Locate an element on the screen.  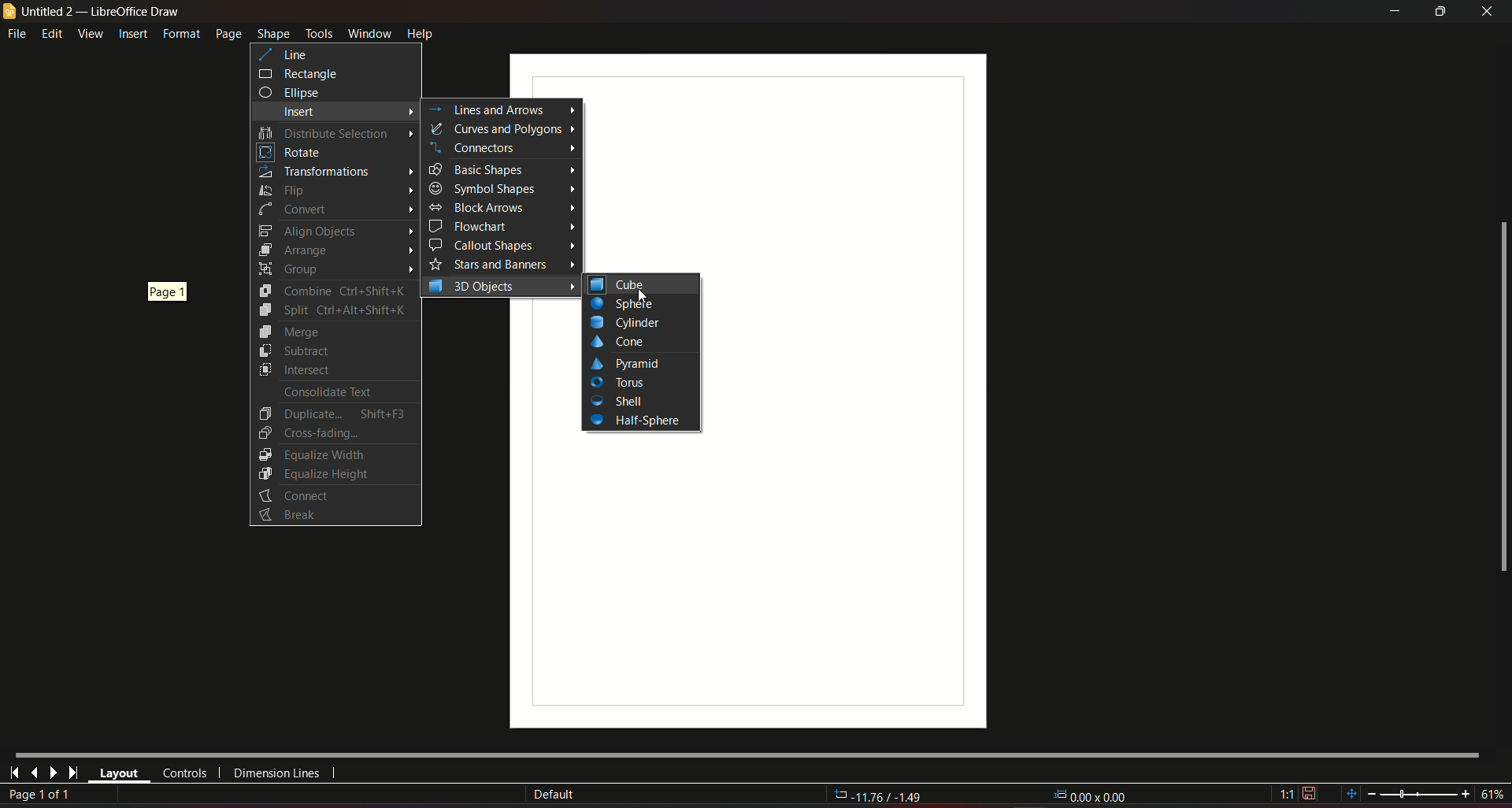
Distribute selection is located at coordinates (325, 133).